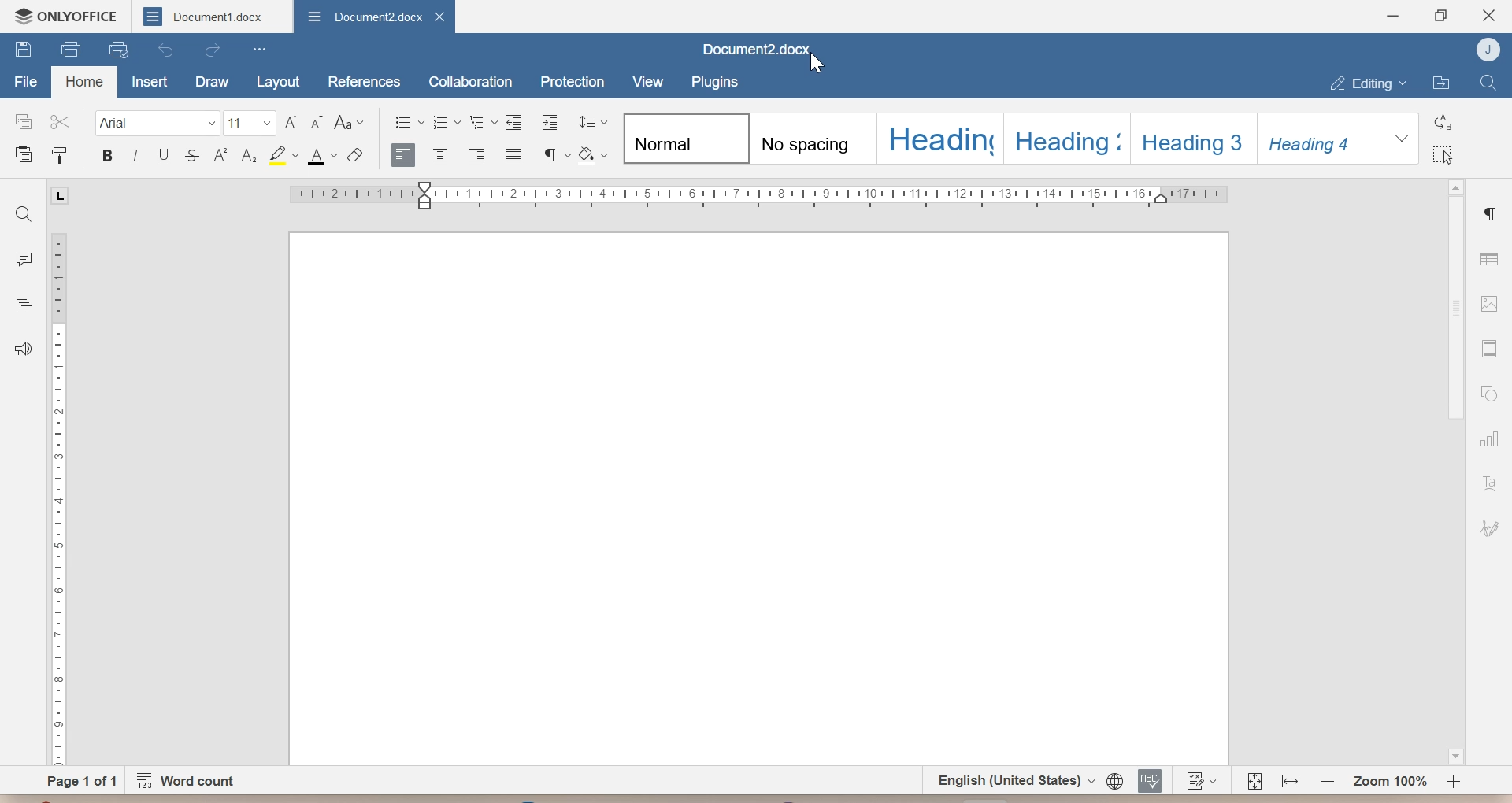  What do you see at coordinates (61, 121) in the screenshot?
I see `Cut` at bounding box center [61, 121].